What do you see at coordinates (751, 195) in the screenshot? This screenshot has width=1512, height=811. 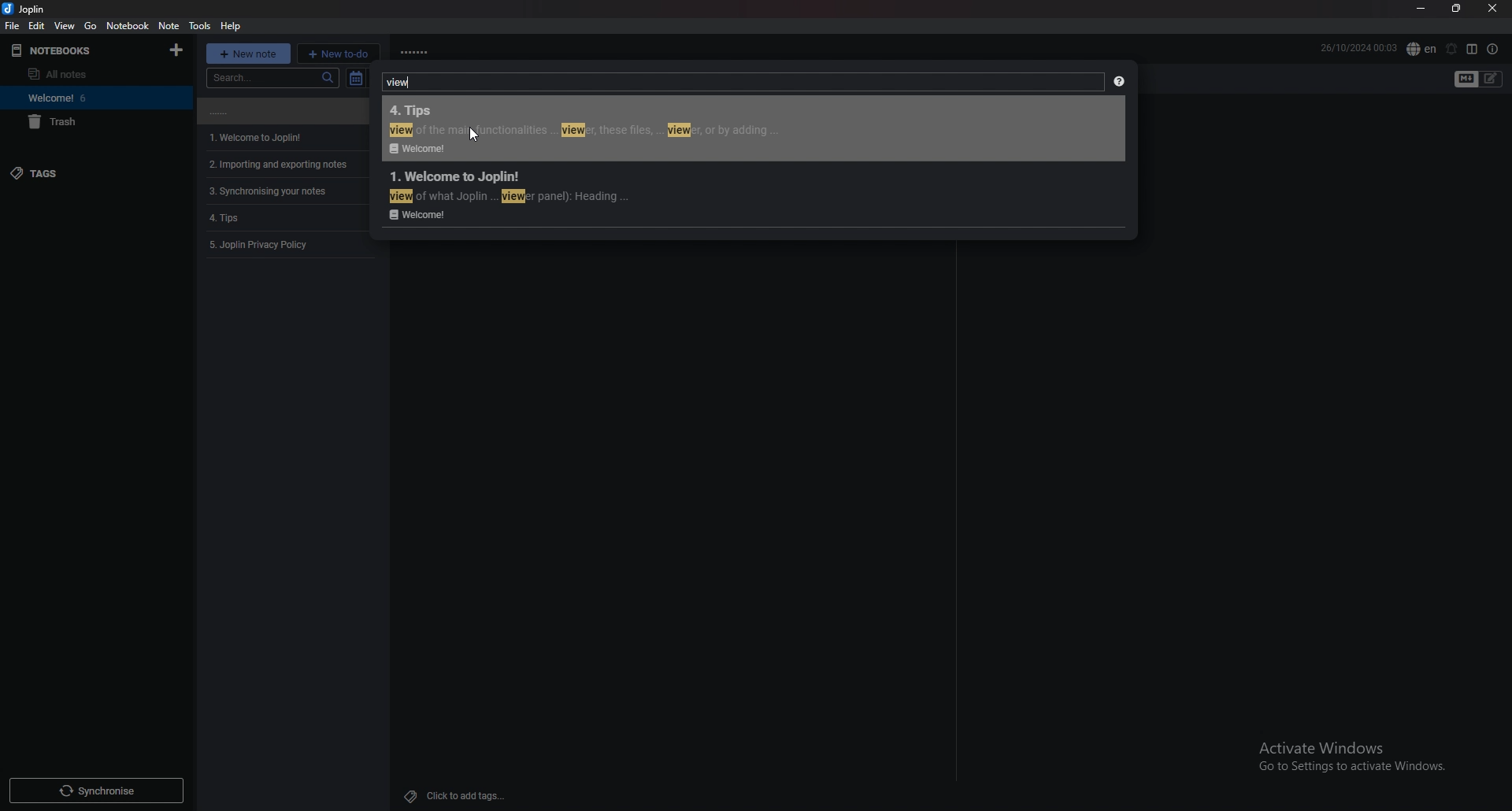 I see `search result` at bounding box center [751, 195].